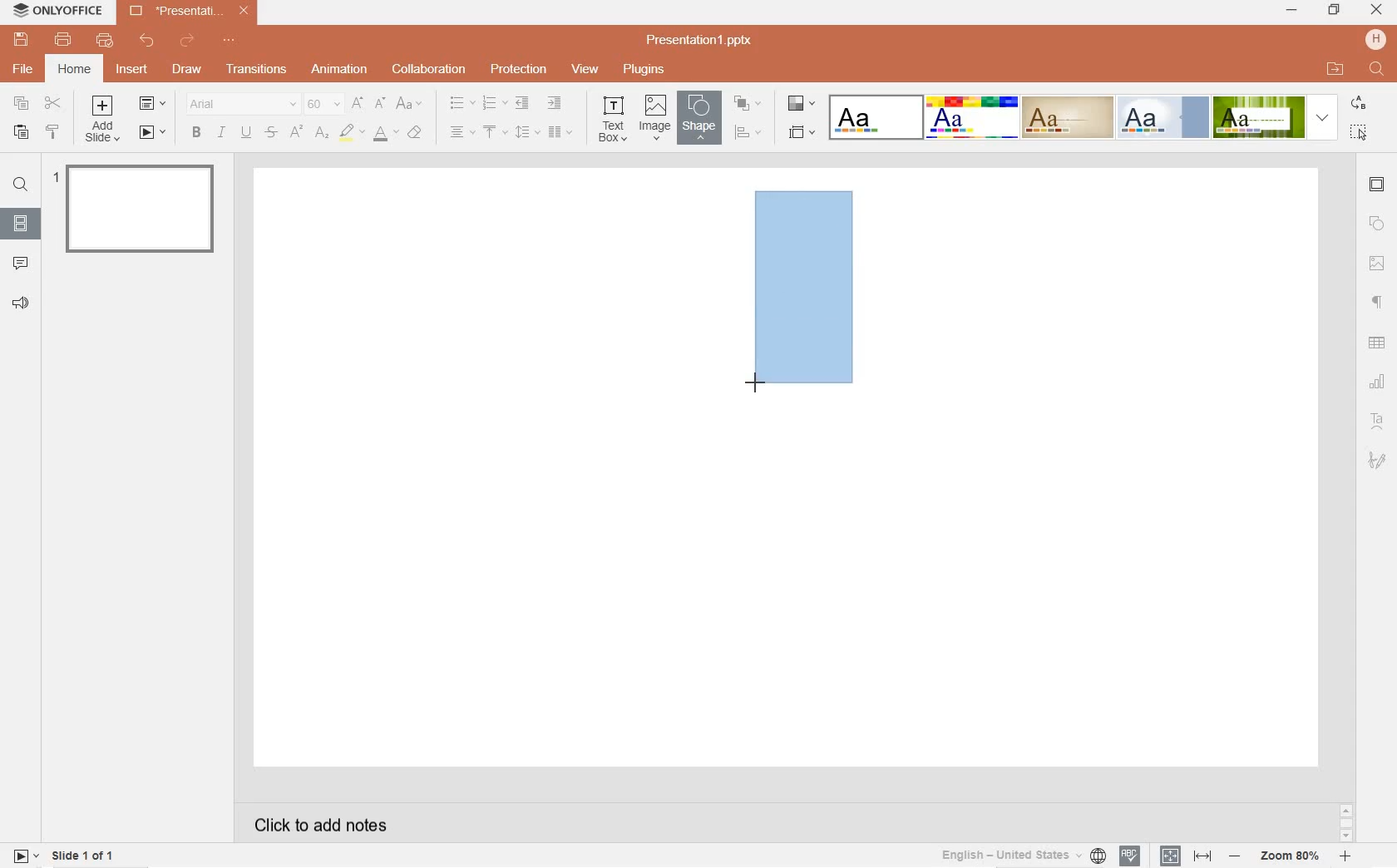  What do you see at coordinates (104, 42) in the screenshot?
I see `quick print` at bounding box center [104, 42].